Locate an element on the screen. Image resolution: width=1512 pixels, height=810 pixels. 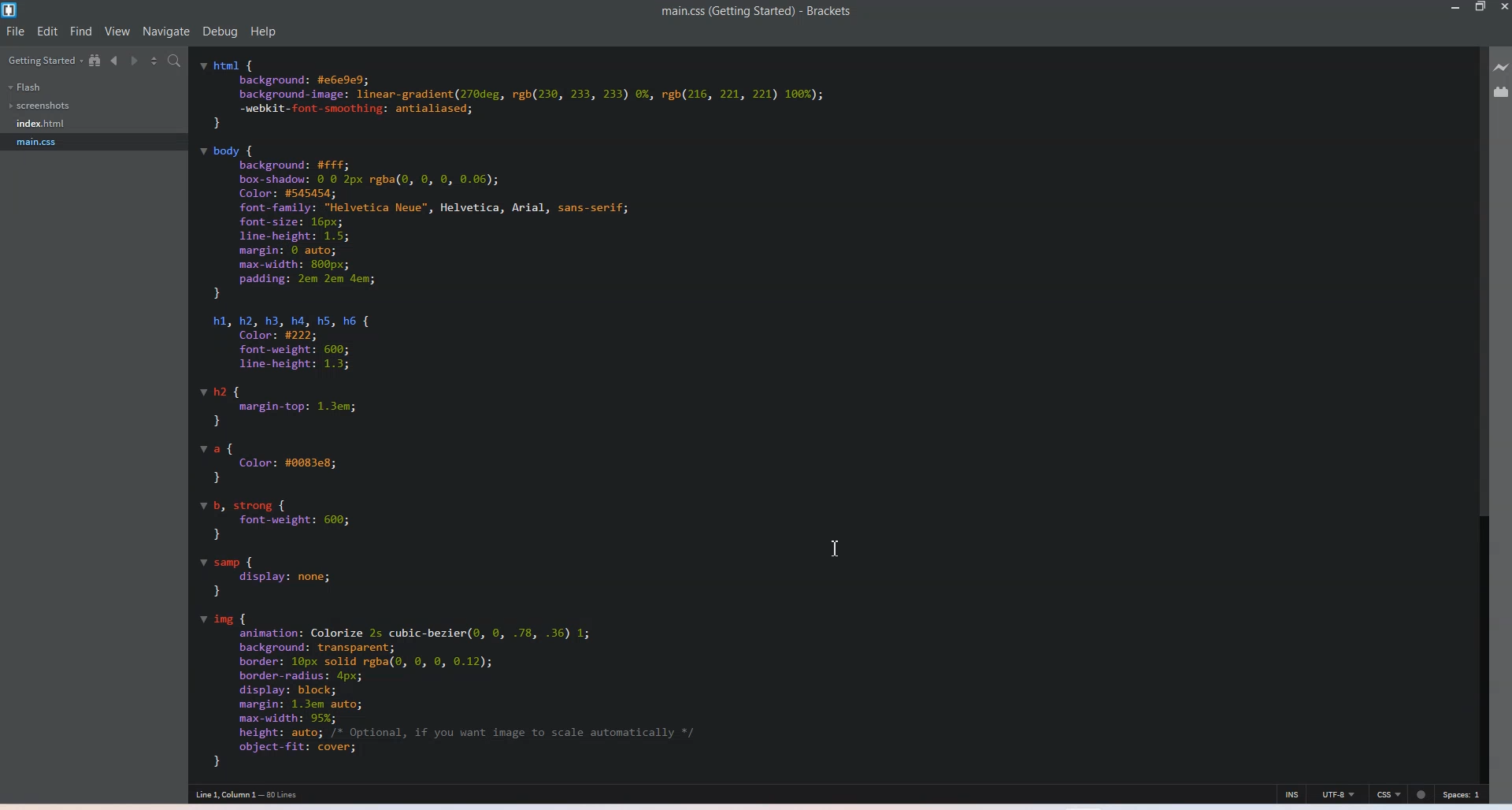
Debug is located at coordinates (220, 32).